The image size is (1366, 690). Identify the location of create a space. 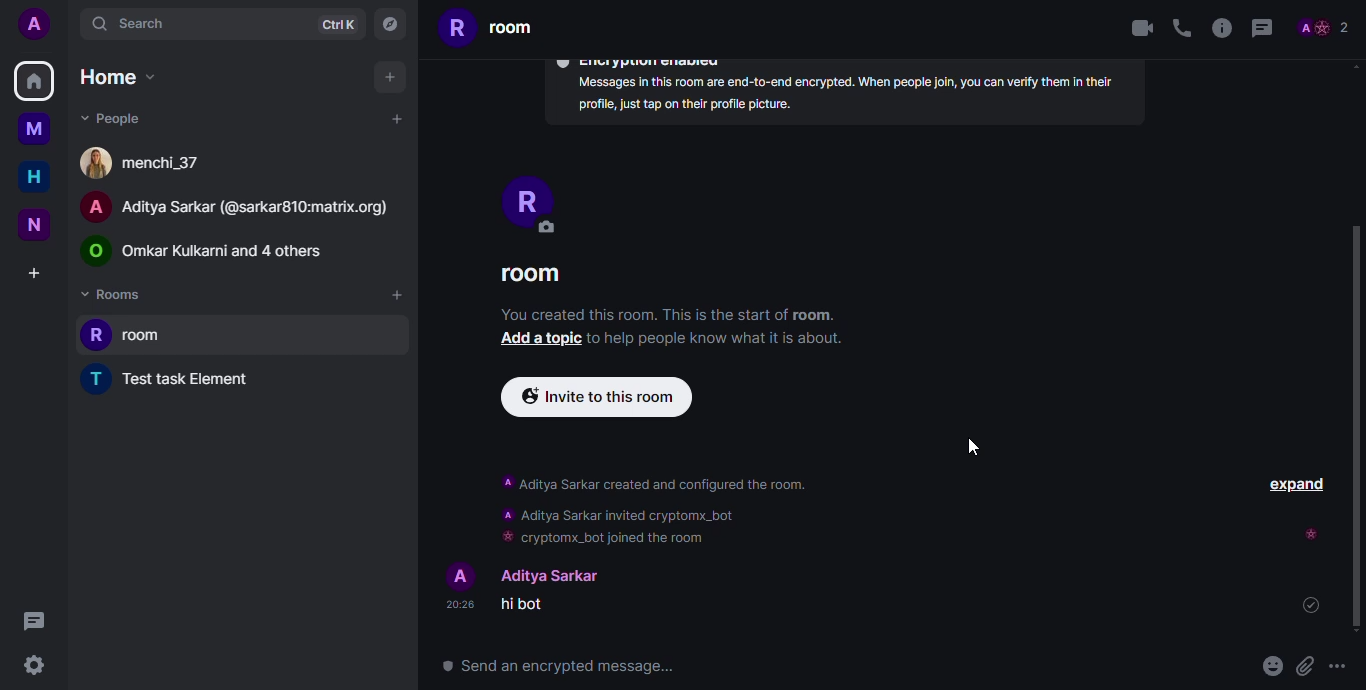
(35, 271).